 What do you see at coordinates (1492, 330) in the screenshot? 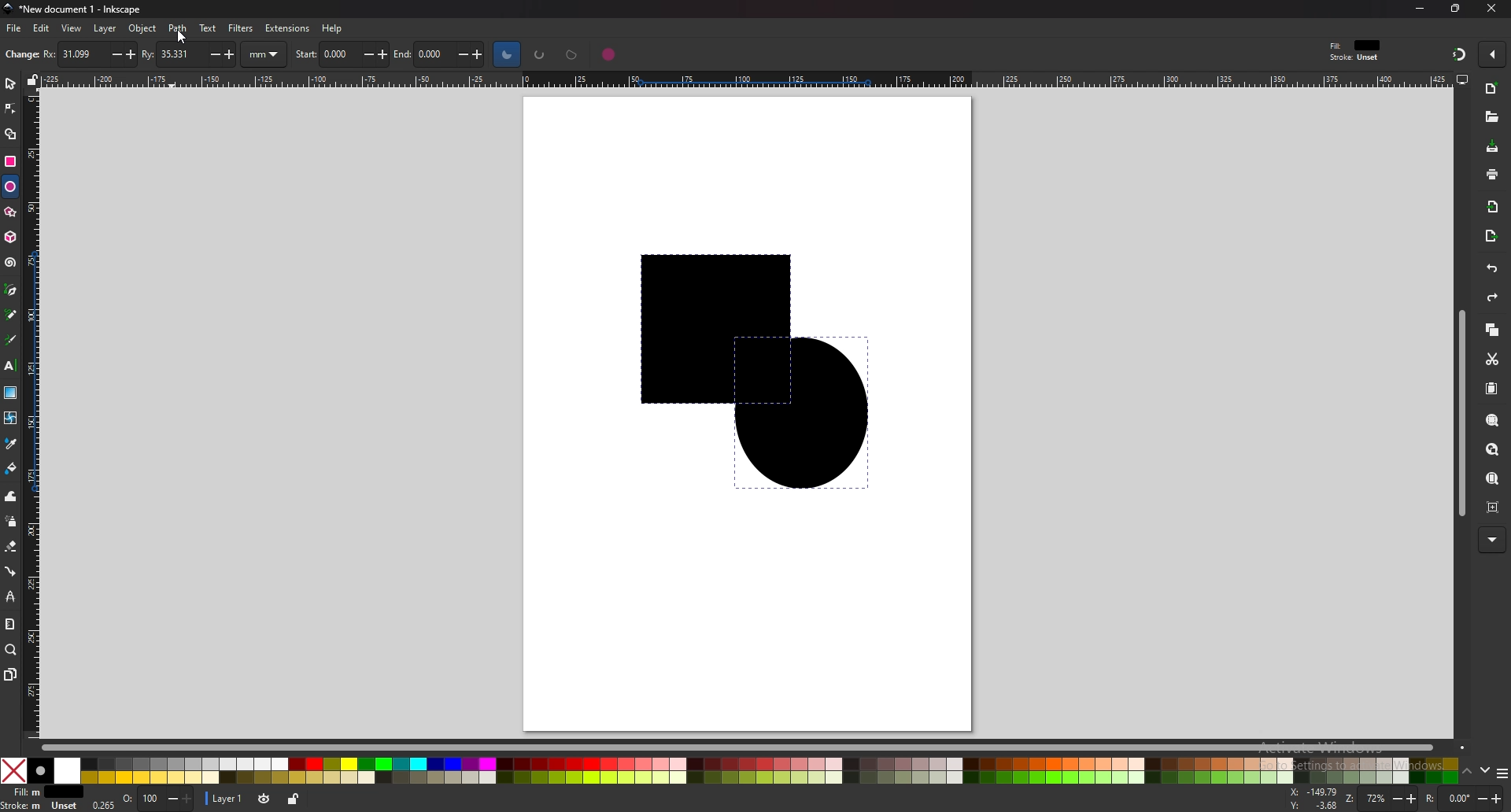
I see `copy` at bounding box center [1492, 330].